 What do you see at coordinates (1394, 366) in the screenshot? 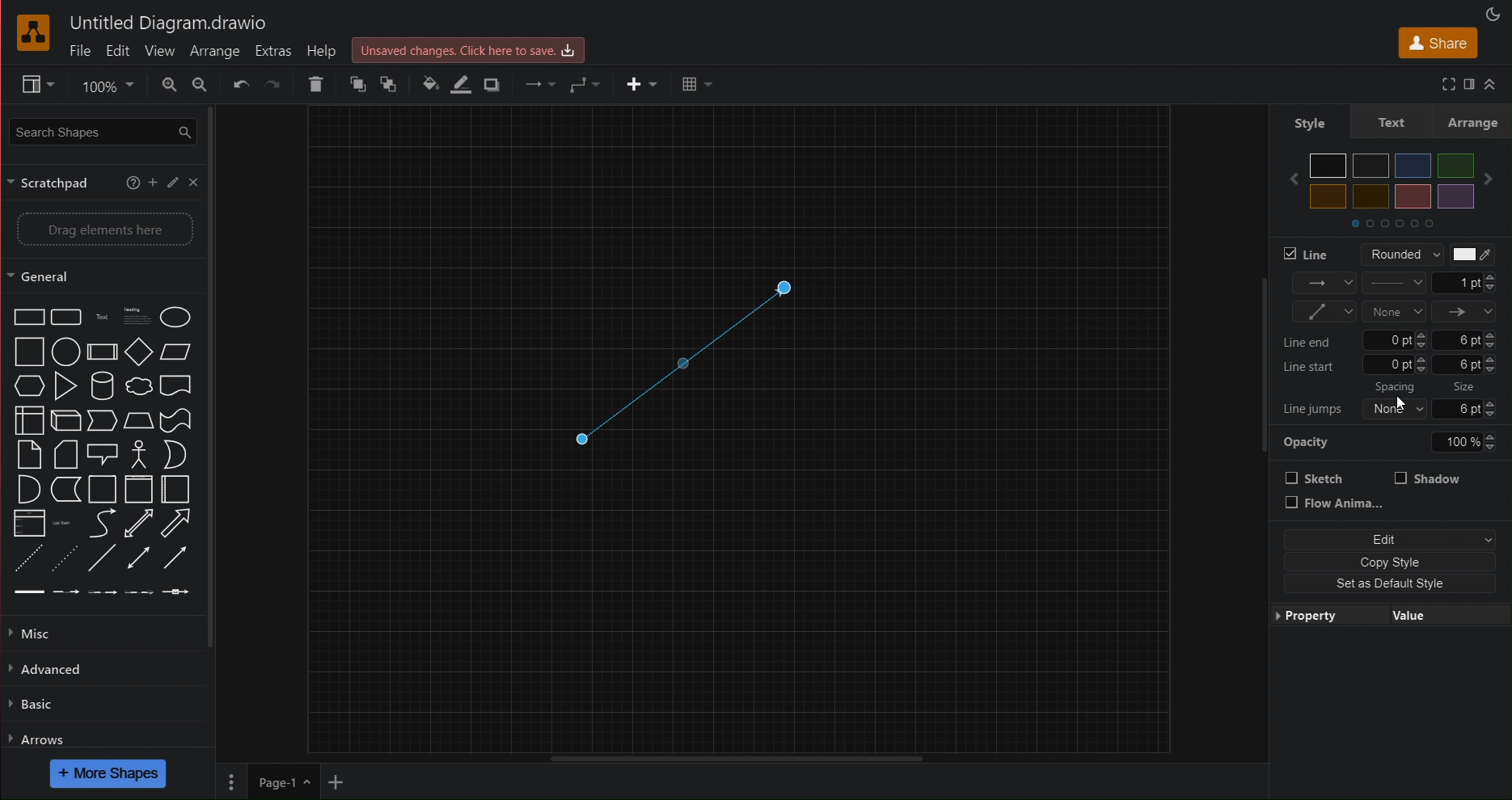
I see `Line start size` at bounding box center [1394, 366].